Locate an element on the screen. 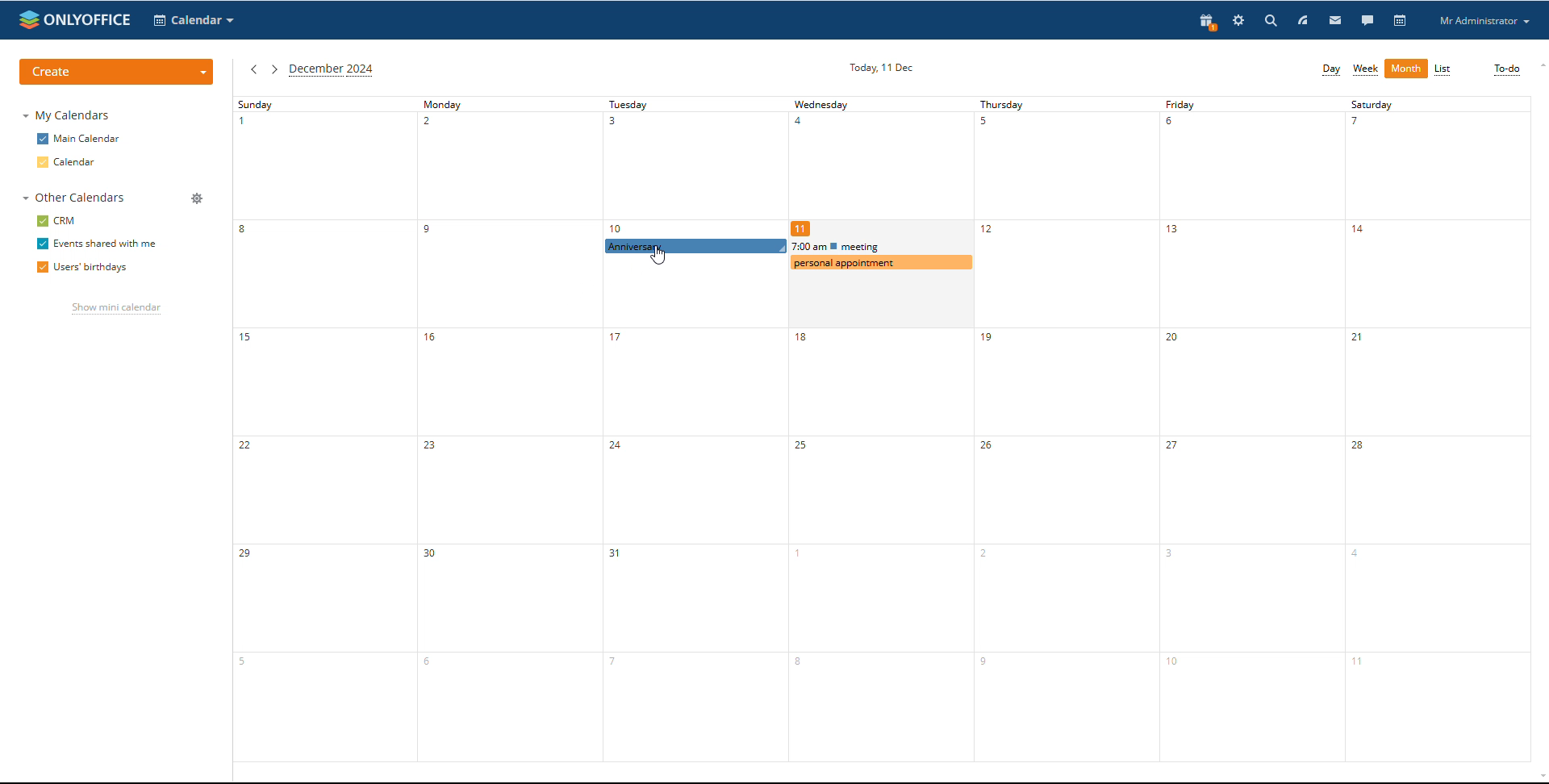  other calendars is located at coordinates (77, 198).